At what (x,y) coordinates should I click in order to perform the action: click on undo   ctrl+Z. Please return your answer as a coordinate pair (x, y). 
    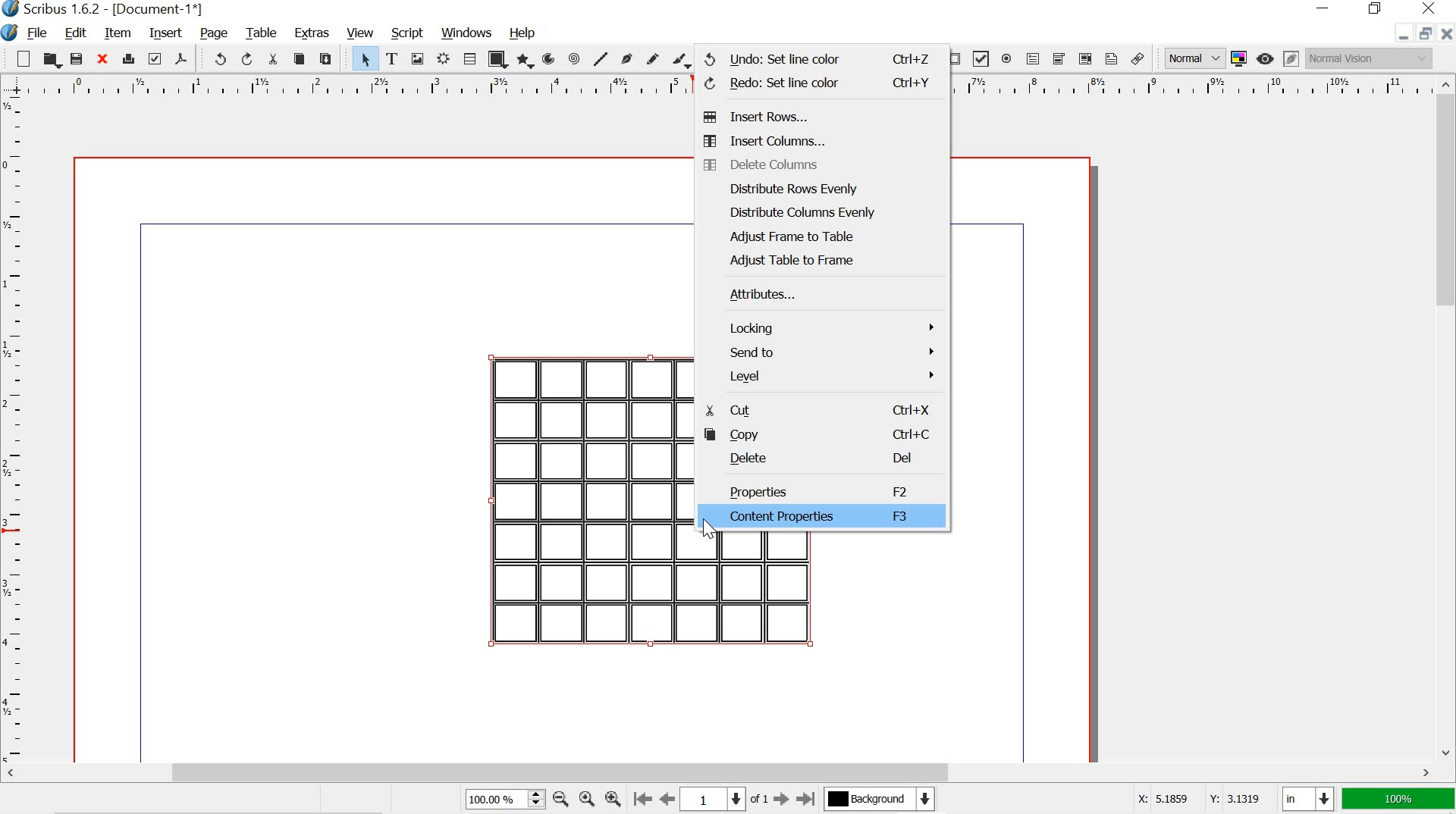
    Looking at the image, I should click on (823, 58).